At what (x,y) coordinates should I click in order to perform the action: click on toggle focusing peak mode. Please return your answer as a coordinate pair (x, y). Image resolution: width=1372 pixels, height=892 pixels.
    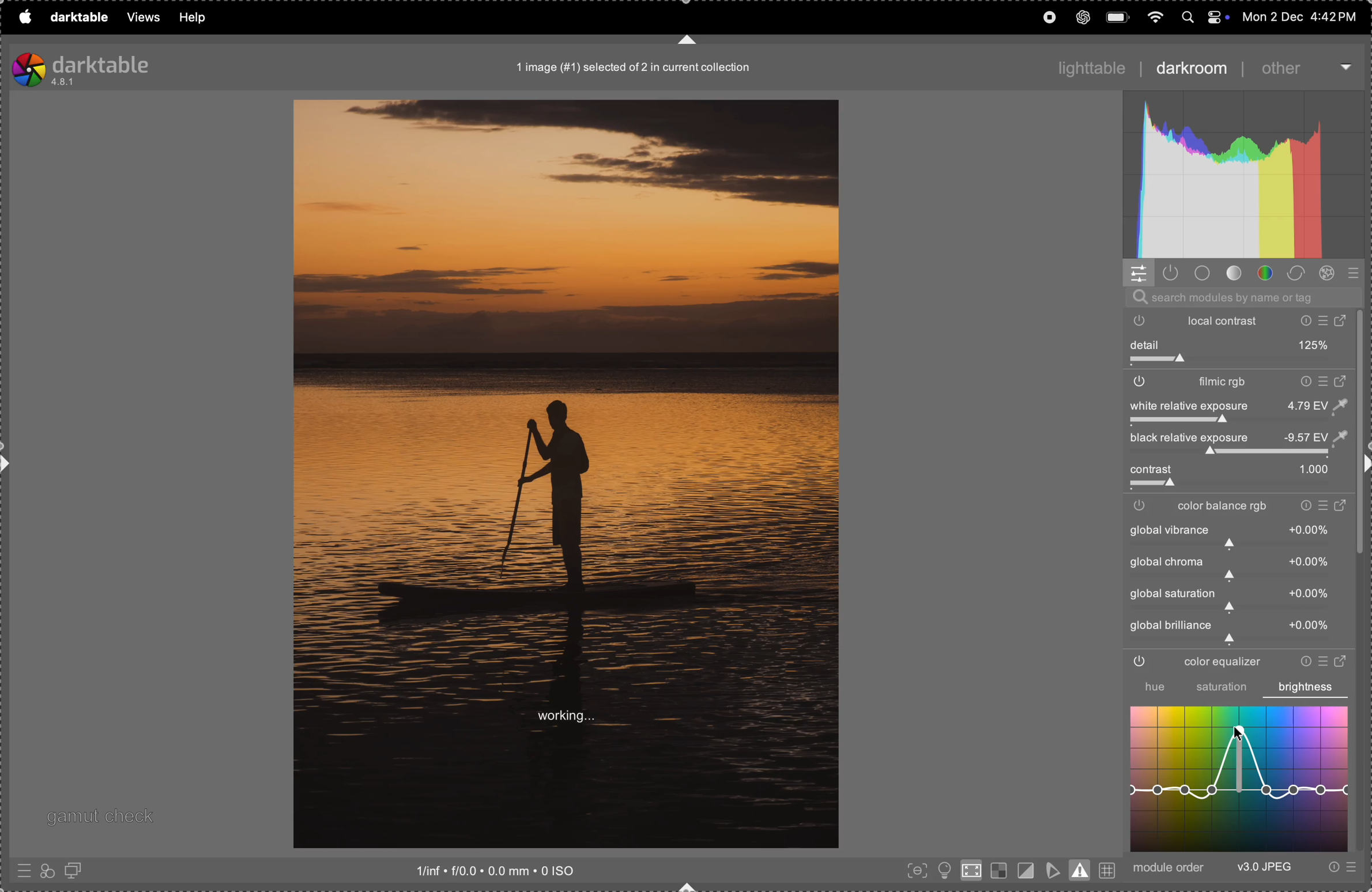
    Looking at the image, I should click on (914, 871).